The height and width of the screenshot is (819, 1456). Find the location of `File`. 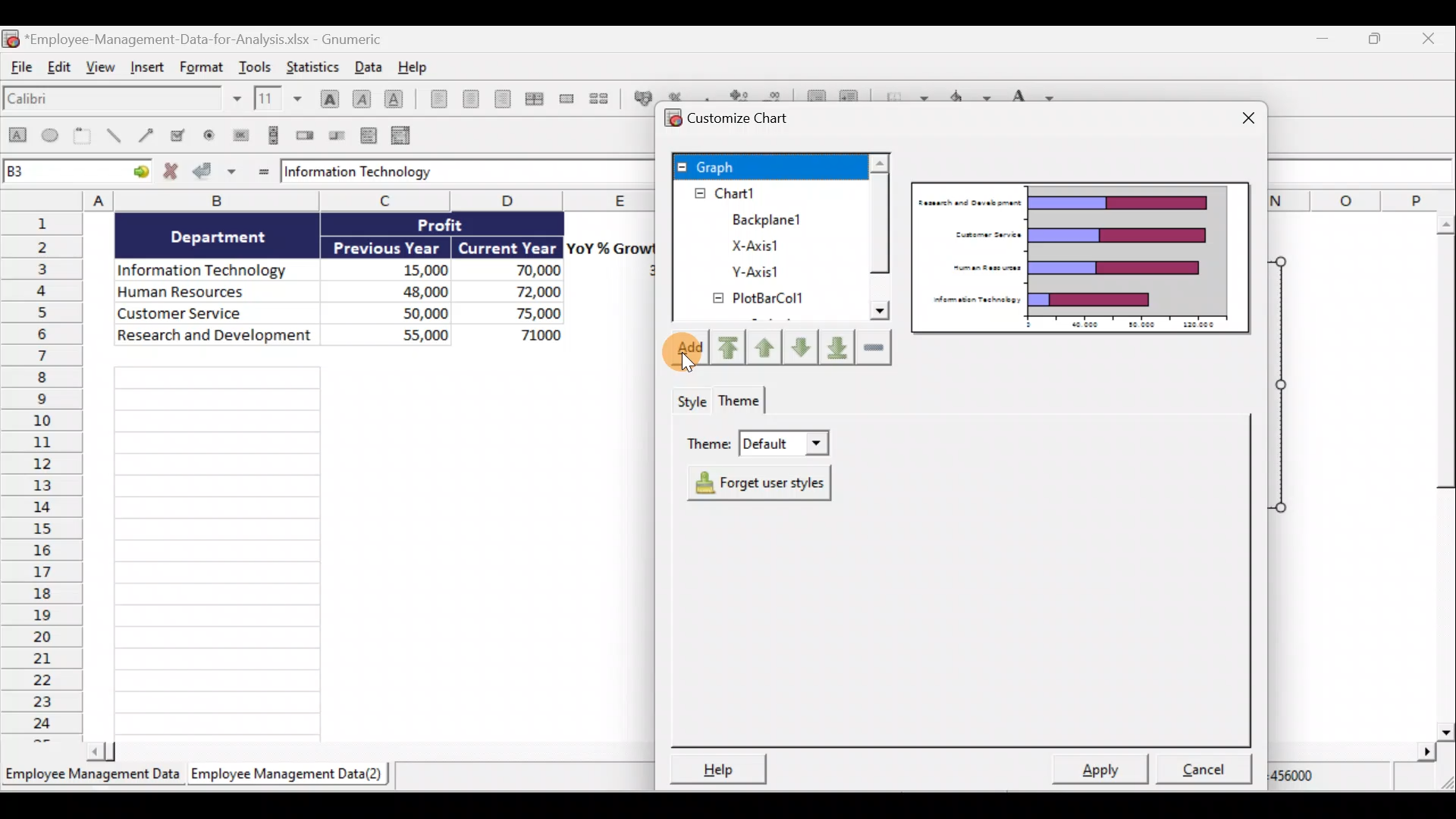

File is located at coordinates (21, 71).